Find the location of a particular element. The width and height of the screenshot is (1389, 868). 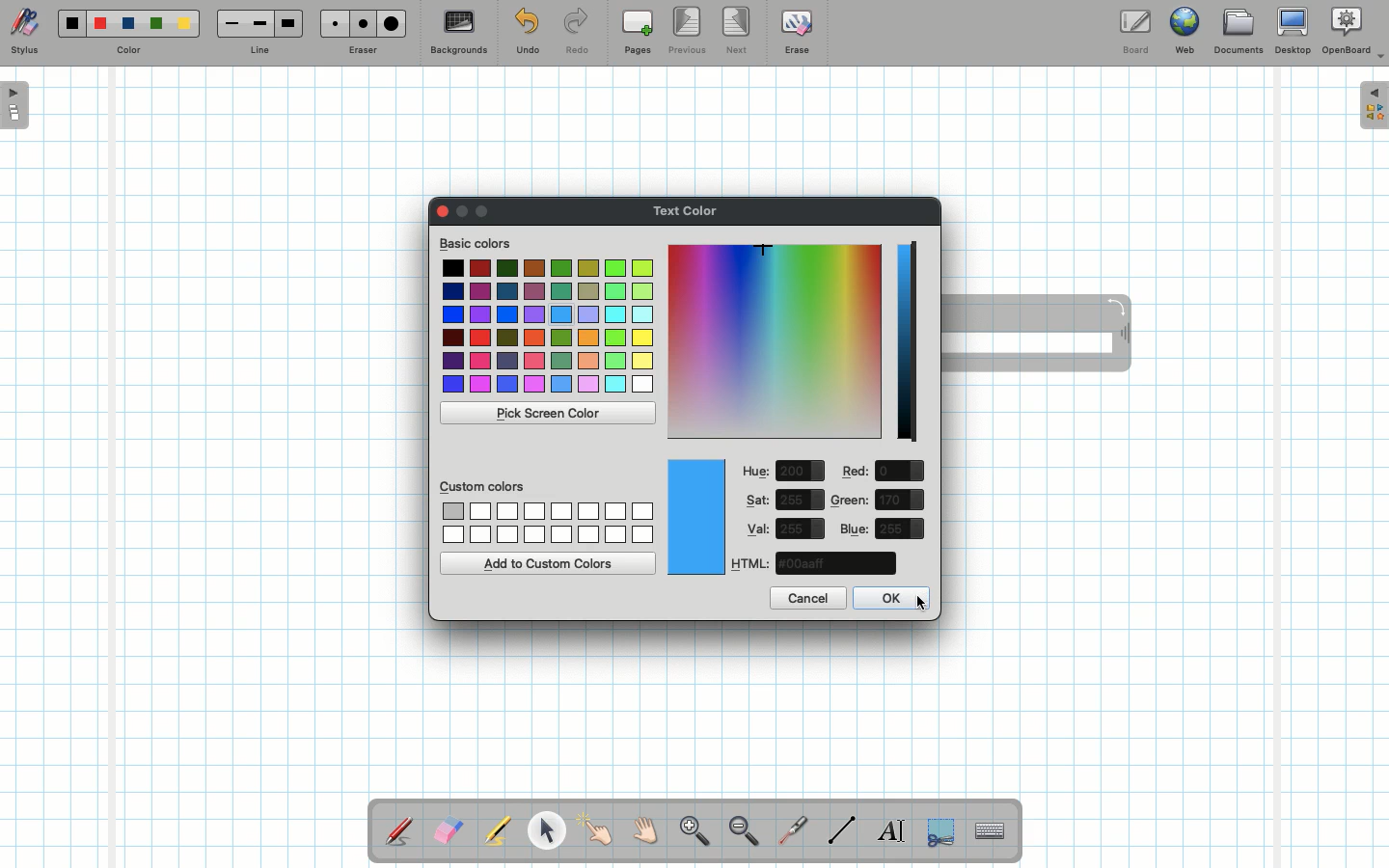

Val is located at coordinates (758, 529).